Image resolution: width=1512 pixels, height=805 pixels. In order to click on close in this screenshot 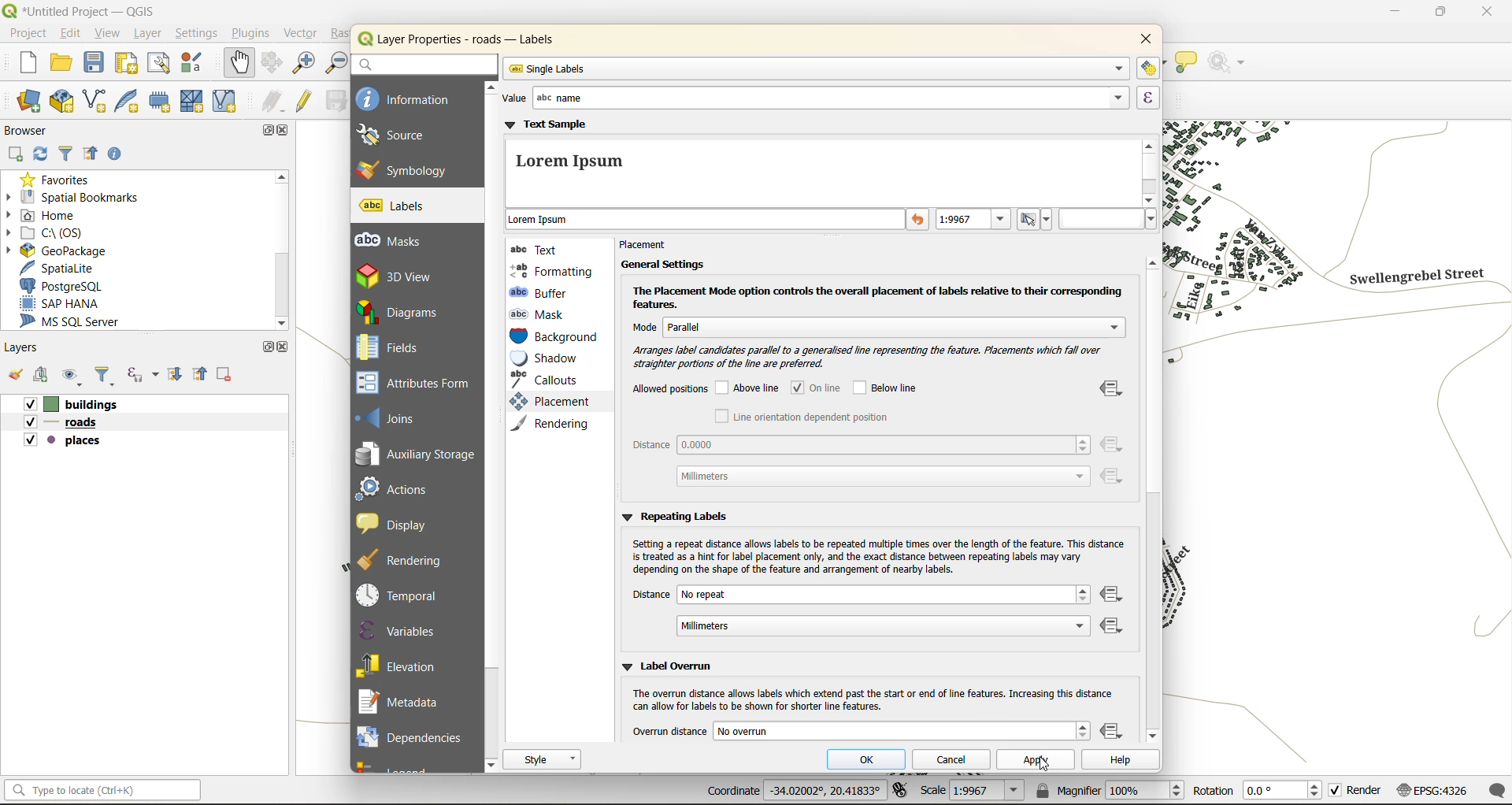, I will do `click(1483, 13)`.